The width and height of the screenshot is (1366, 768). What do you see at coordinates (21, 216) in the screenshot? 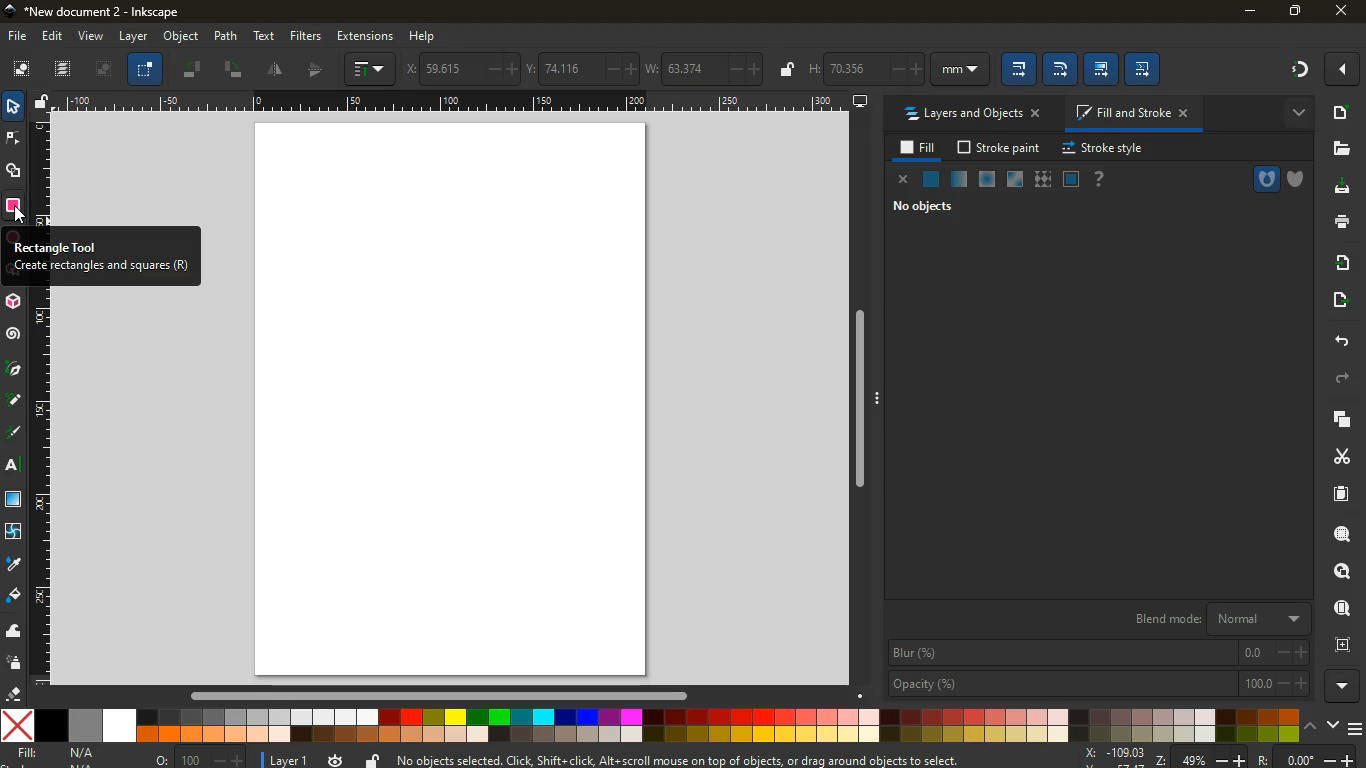
I see `` at bounding box center [21, 216].